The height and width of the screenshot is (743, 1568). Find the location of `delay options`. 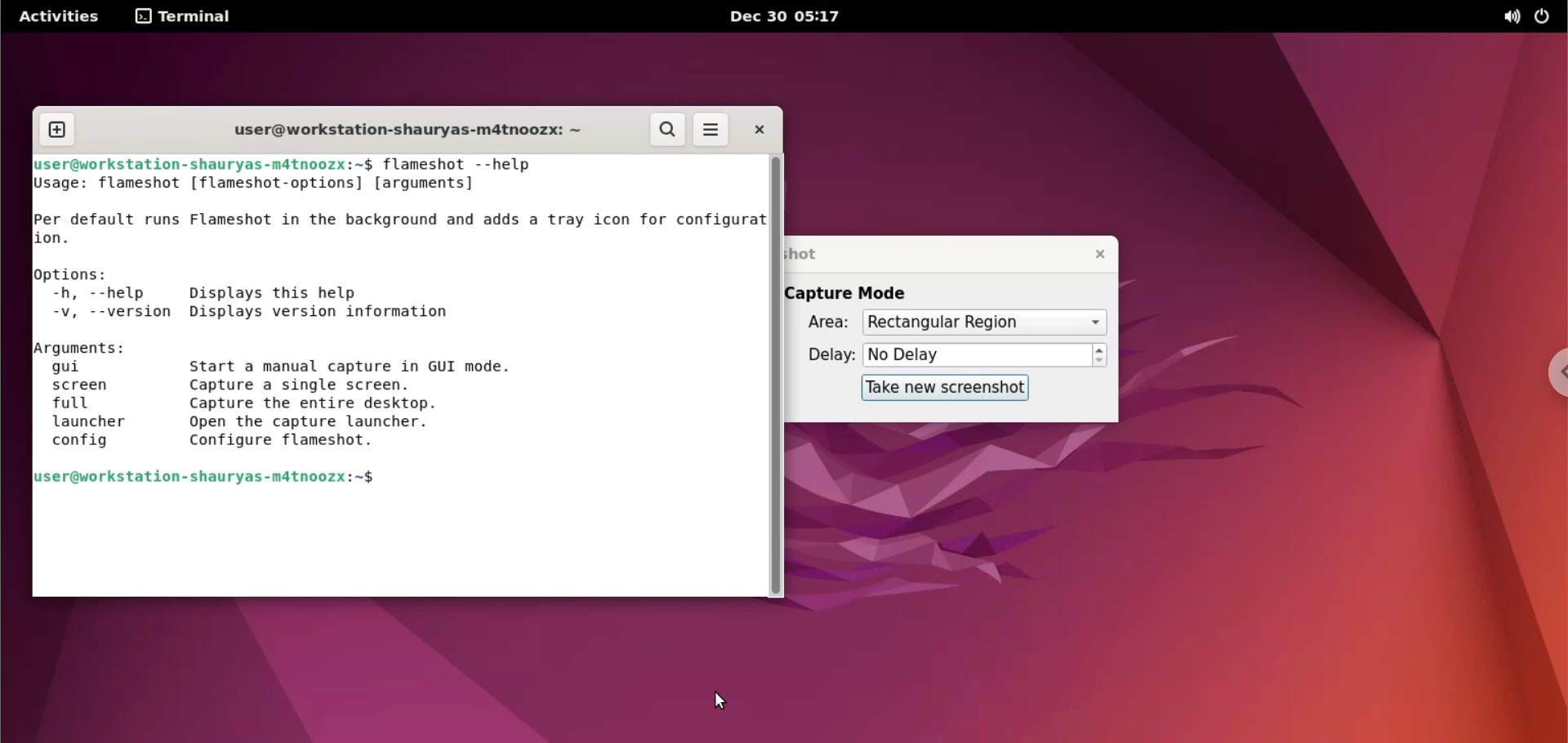

delay options is located at coordinates (978, 356).